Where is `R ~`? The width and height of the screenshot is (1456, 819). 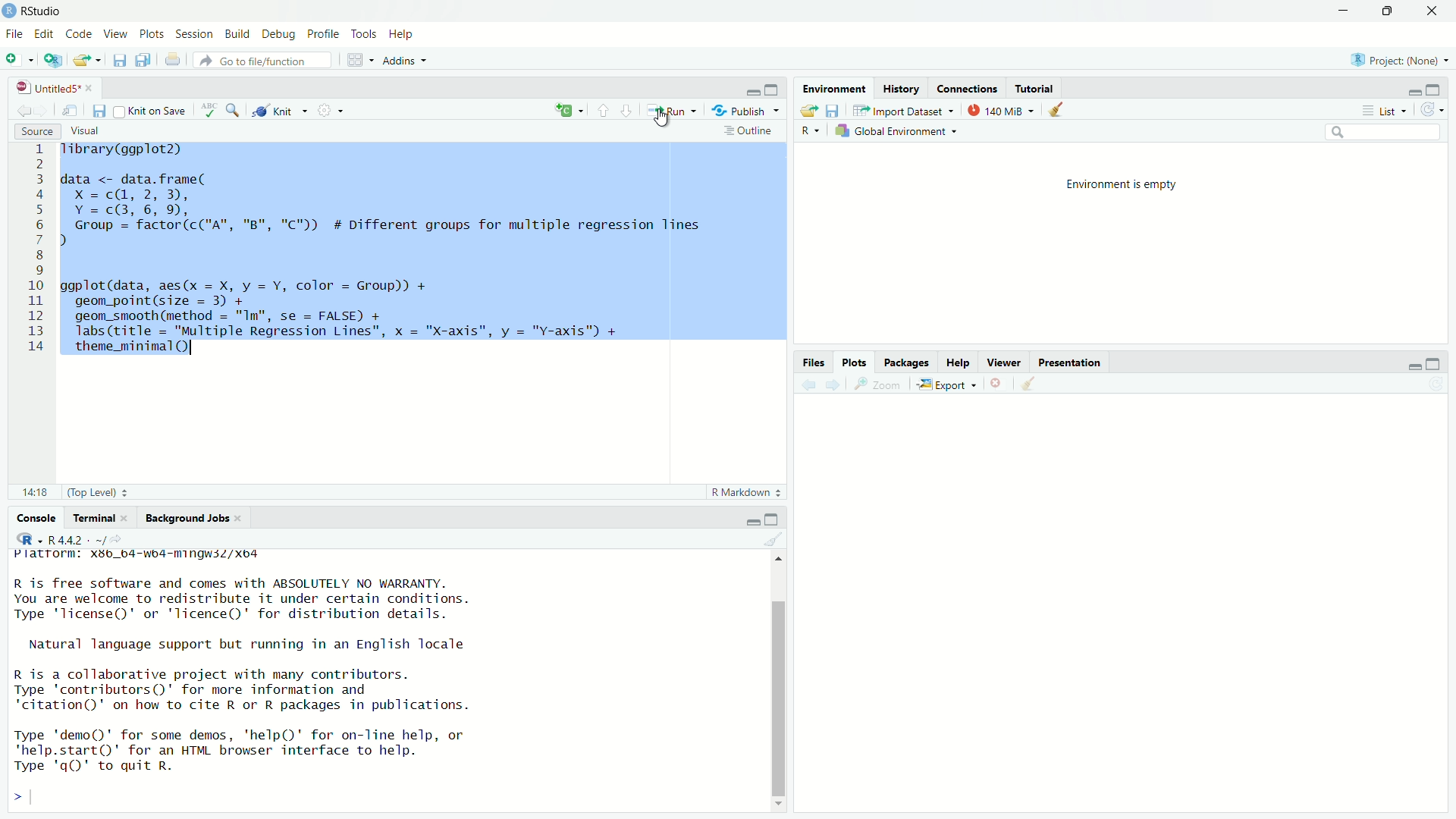
R ~ is located at coordinates (812, 127).